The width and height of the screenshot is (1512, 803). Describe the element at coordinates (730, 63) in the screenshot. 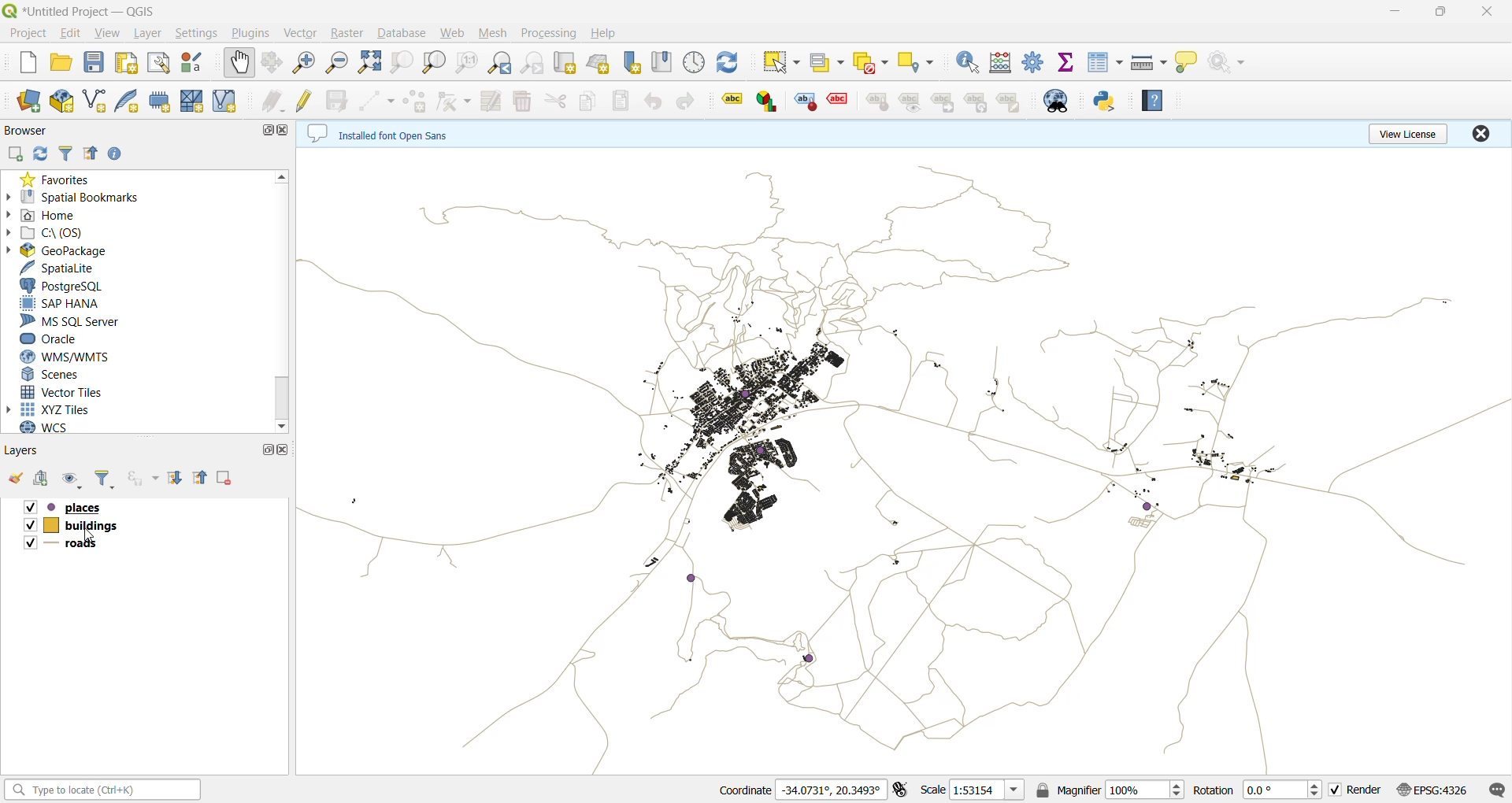

I see `refresh` at that location.